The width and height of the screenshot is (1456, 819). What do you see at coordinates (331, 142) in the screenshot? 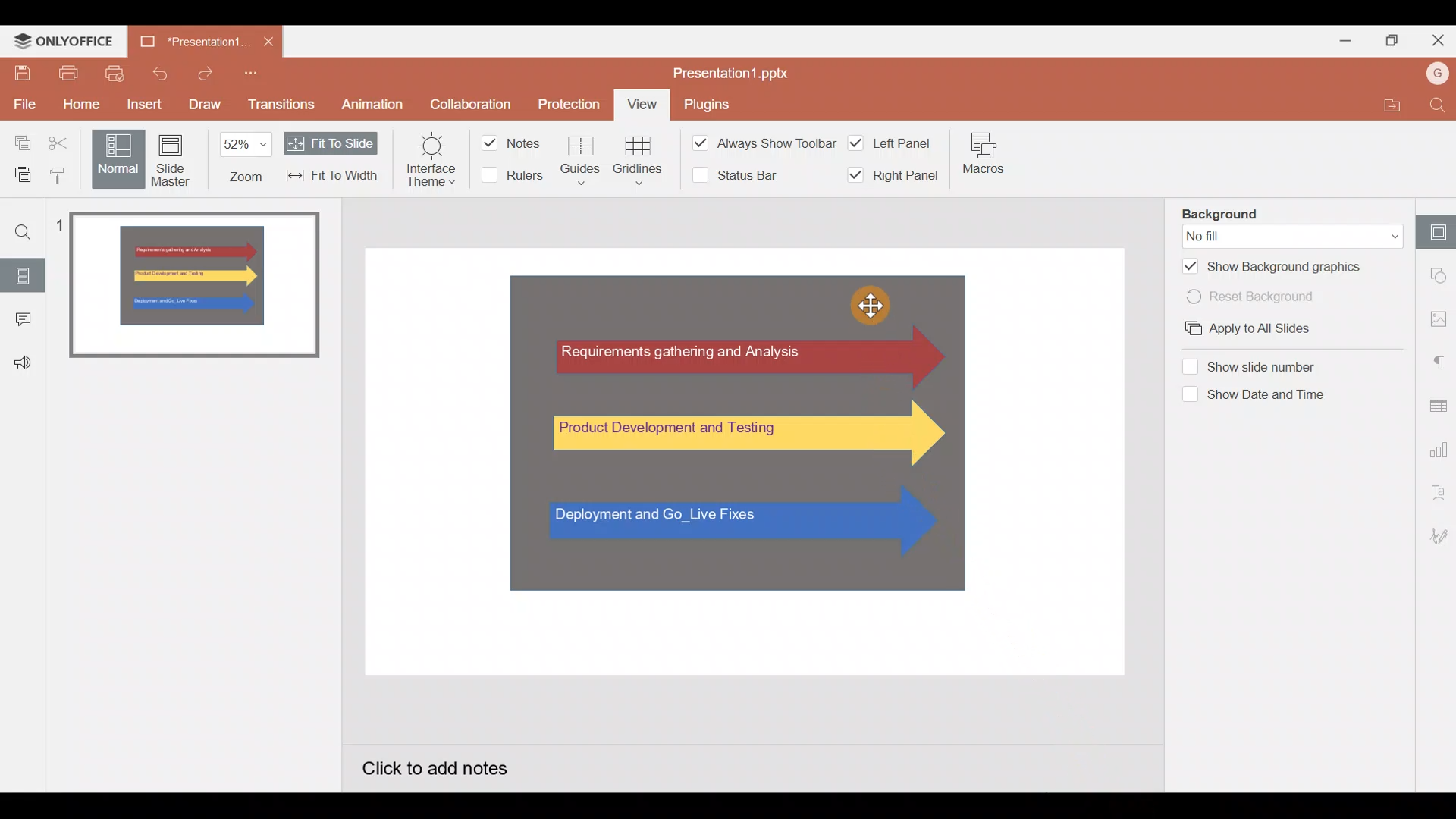
I see `Fit to slide` at bounding box center [331, 142].